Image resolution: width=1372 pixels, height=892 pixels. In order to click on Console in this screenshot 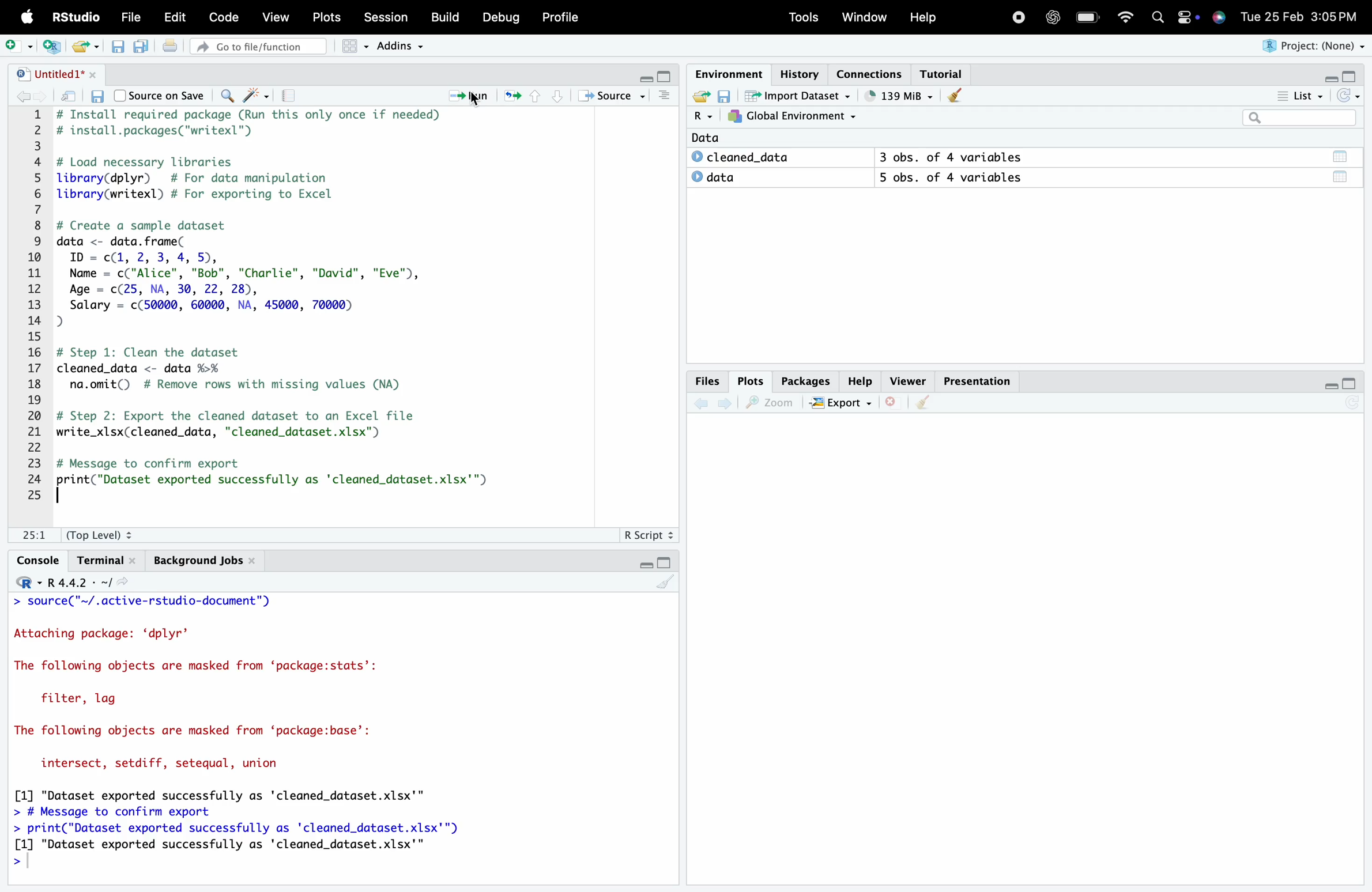, I will do `click(42, 561)`.